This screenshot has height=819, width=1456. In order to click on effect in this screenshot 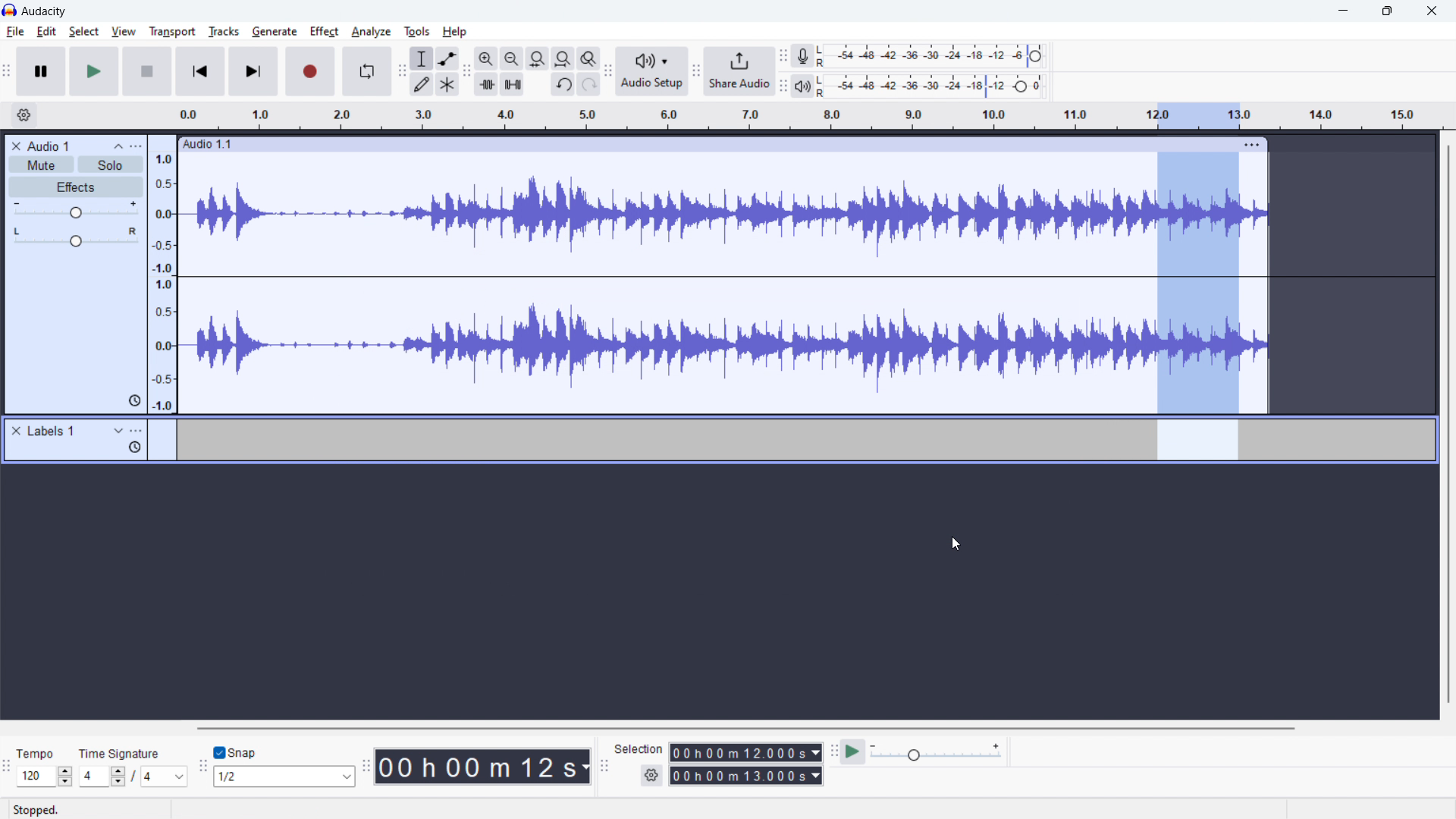, I will do `click(325, 32)`.